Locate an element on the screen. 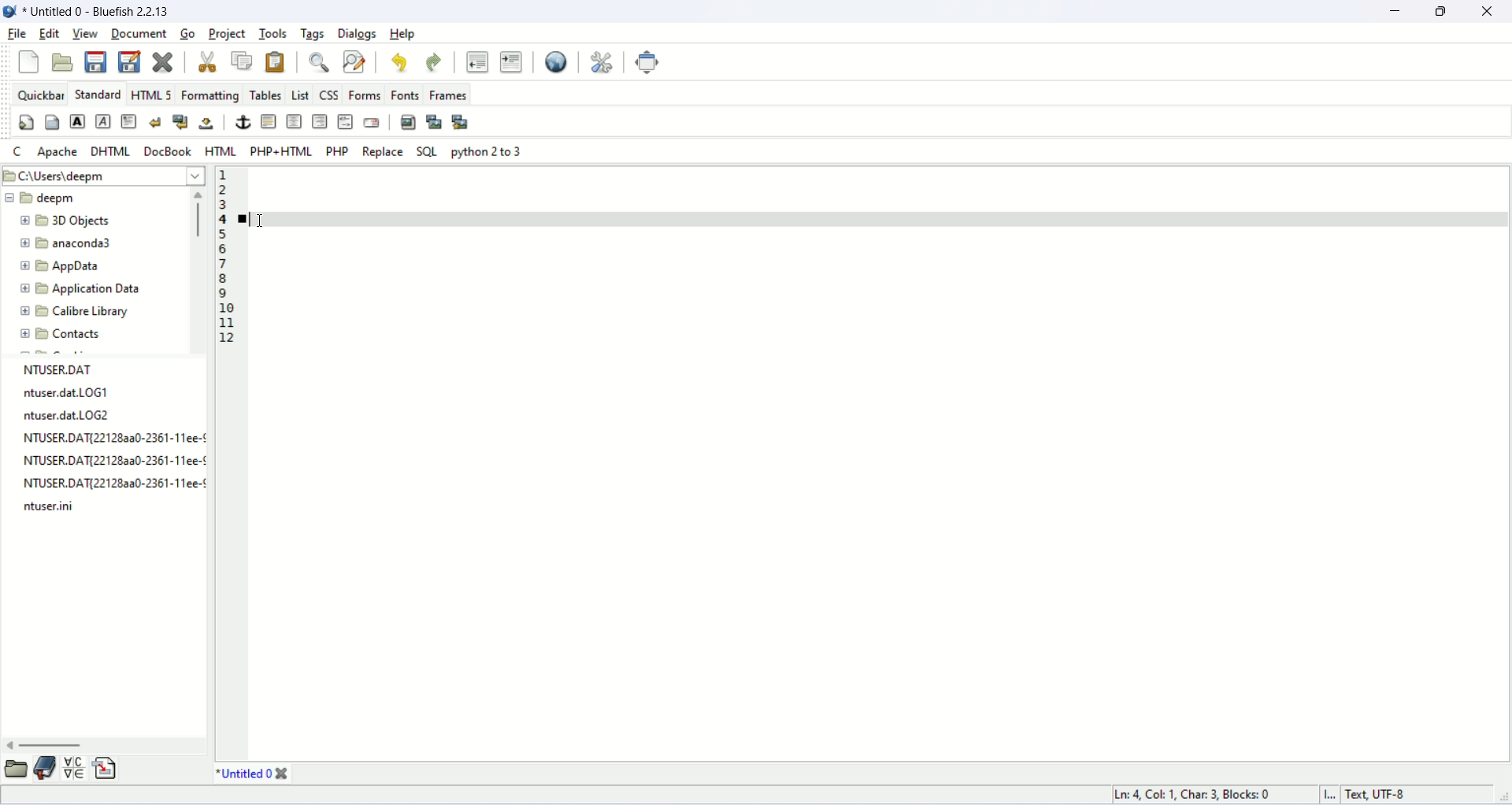  indent is located at coordinates (512, 61).